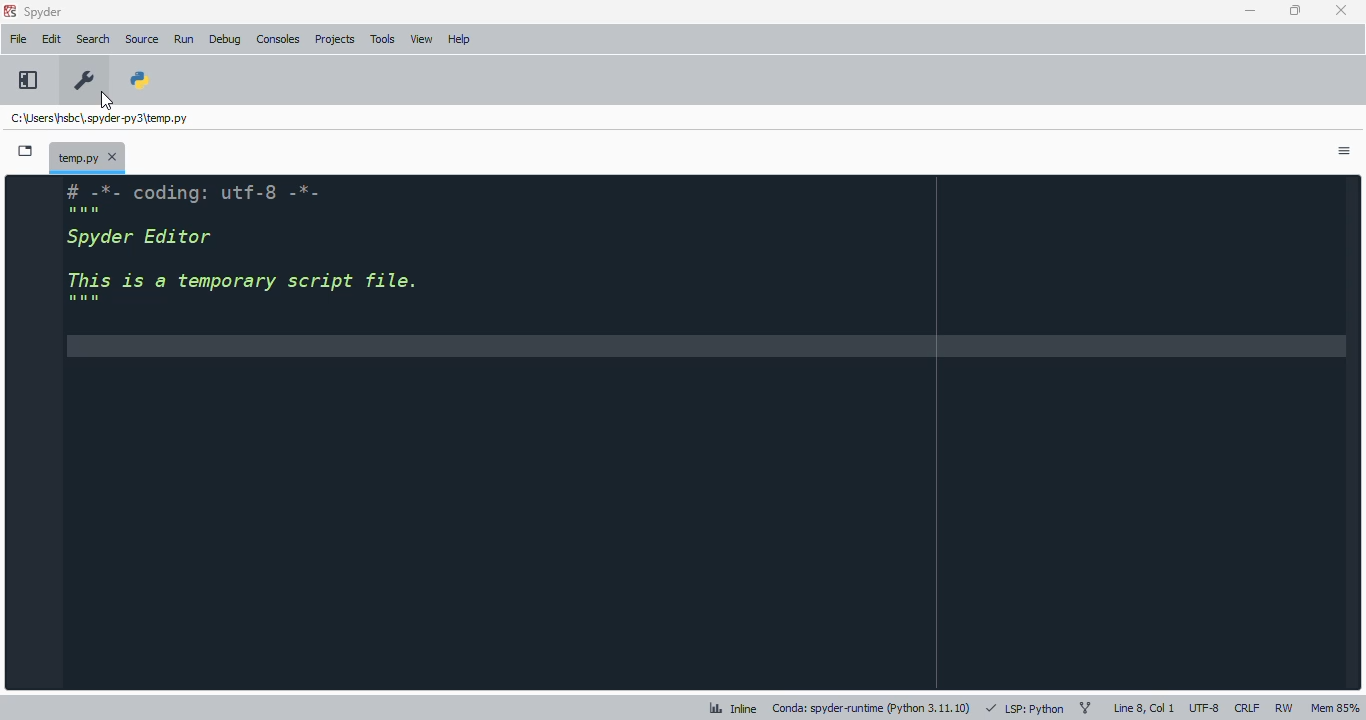 The height and width of the screenshot is (720, 1366). I want to click on debug, so click(226, 38).